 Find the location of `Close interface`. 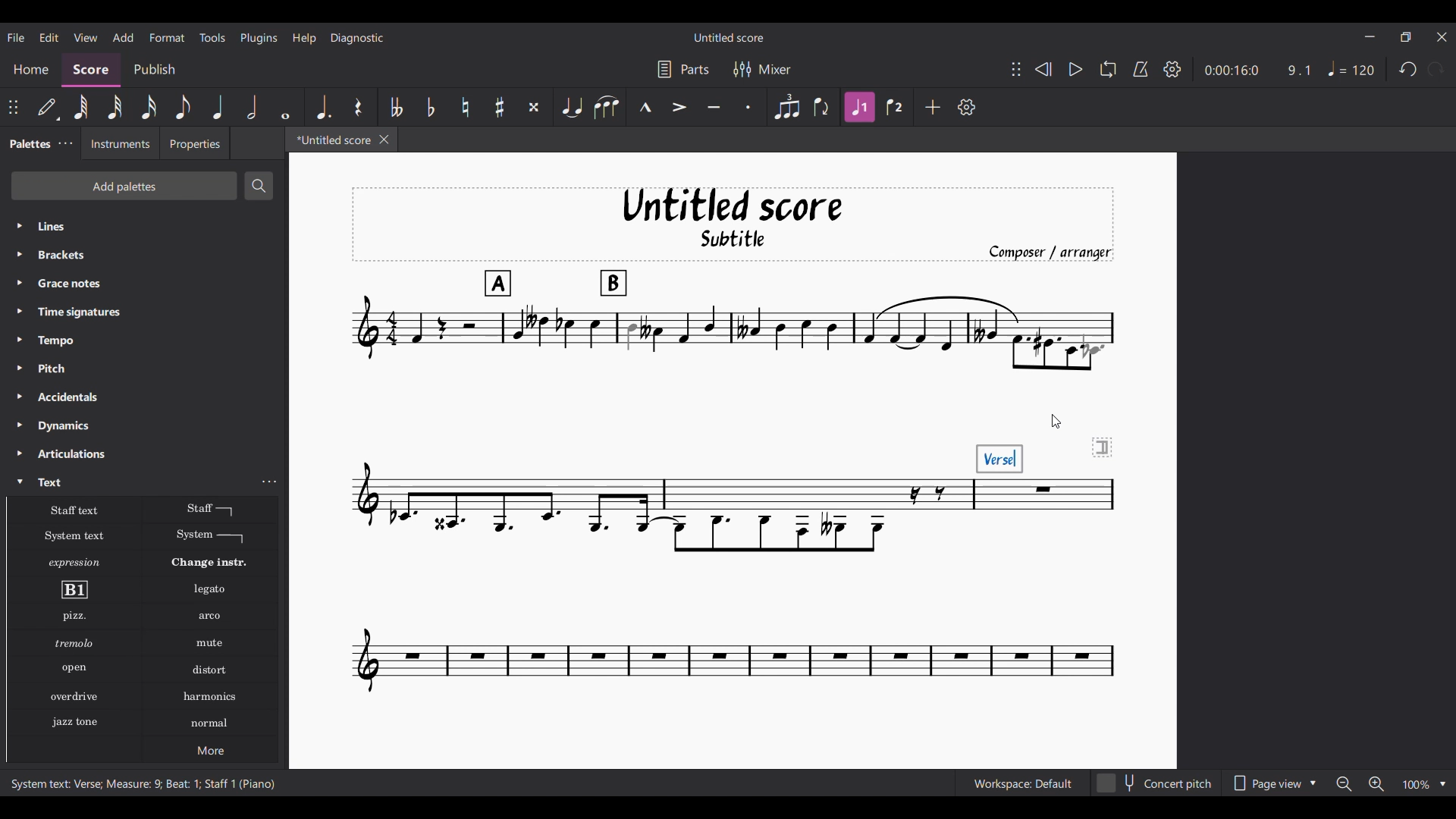

Close interface is located at coordinates (1442, 37).